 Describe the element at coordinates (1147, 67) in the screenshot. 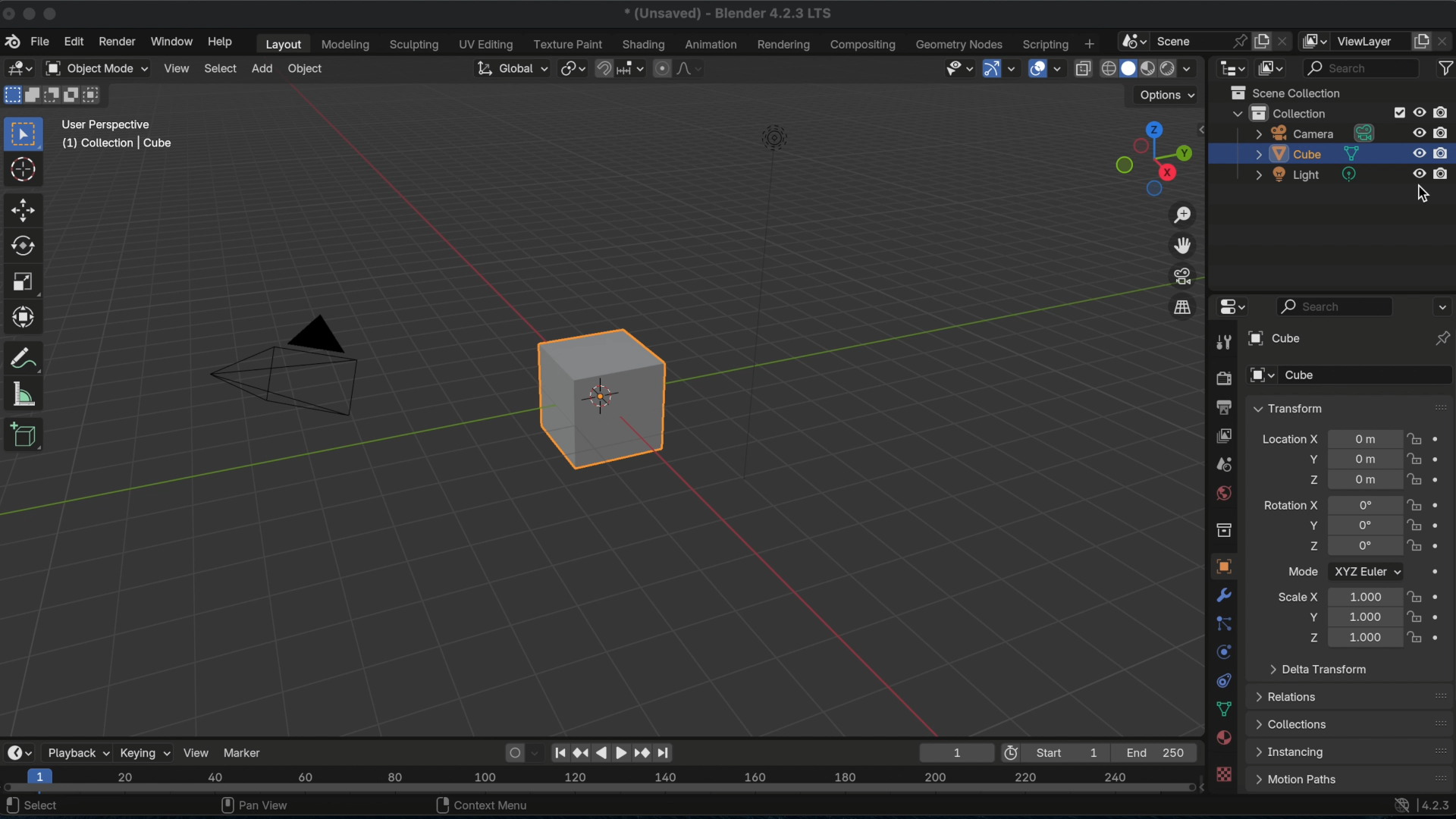

I see `viewport shading` at that location.